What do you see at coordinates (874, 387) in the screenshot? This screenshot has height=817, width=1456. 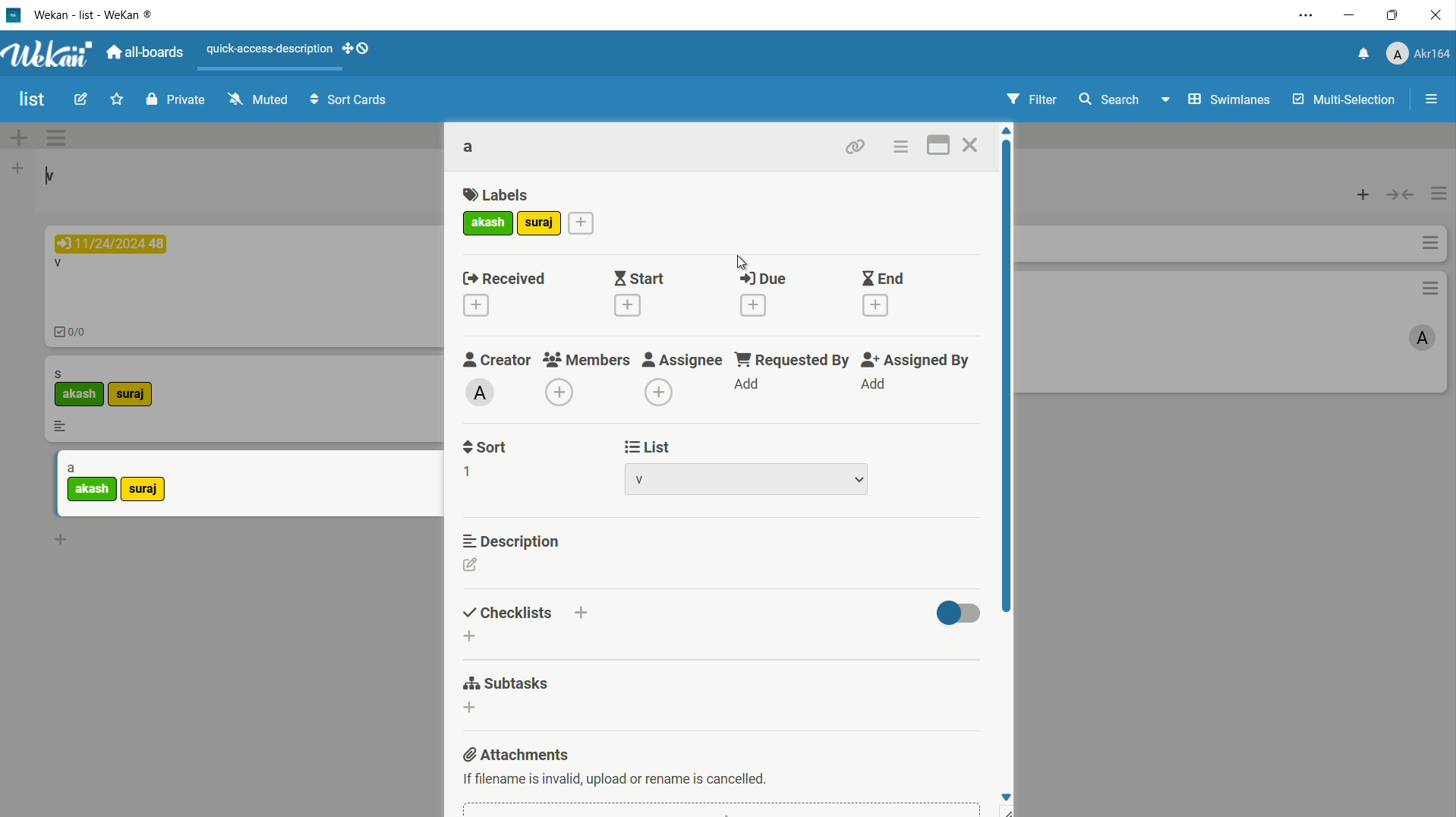 I see `add` at bounding box center [874, 387].